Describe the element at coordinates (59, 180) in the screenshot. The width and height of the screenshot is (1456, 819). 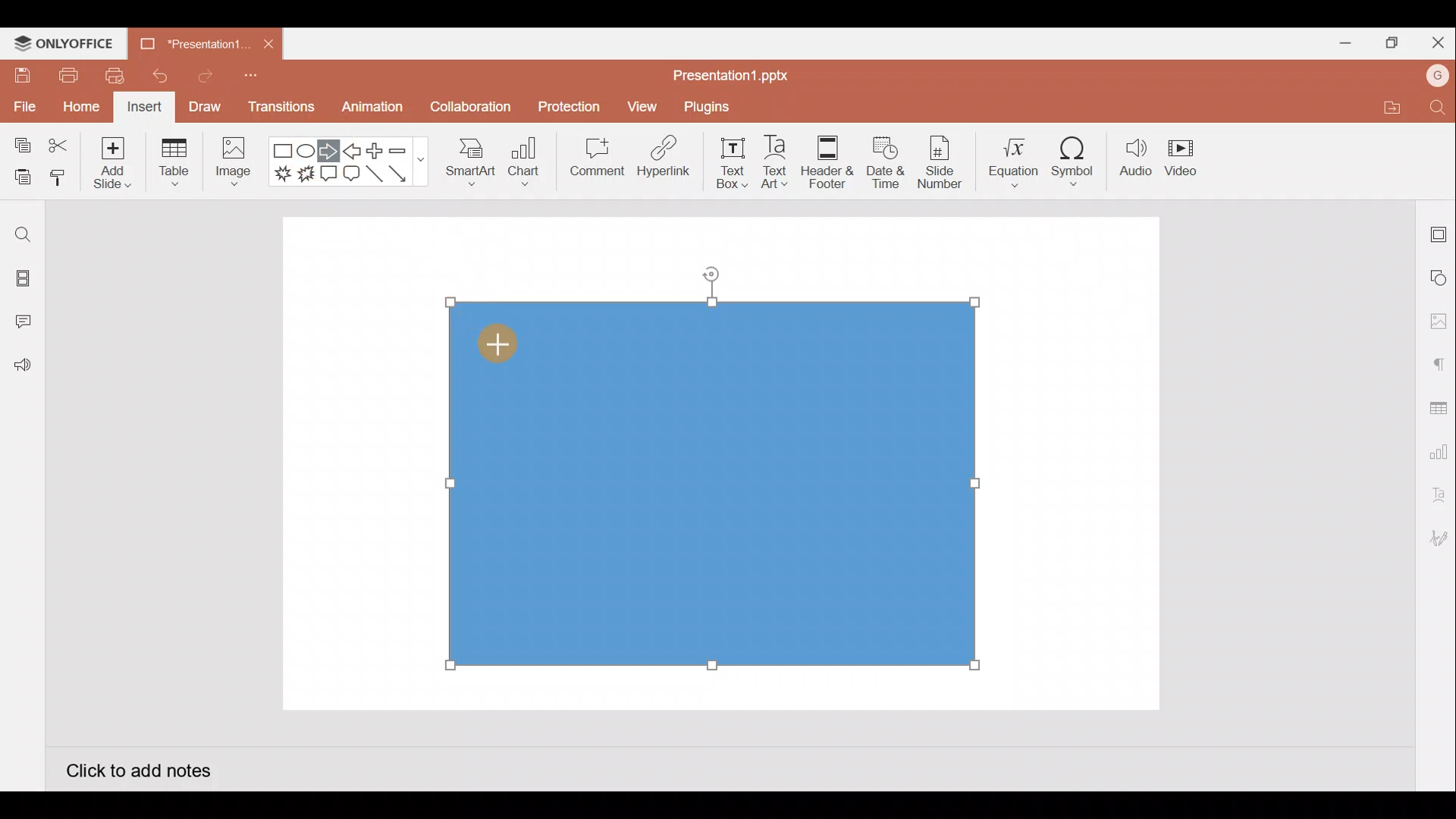
I see `Copy style` at that location.